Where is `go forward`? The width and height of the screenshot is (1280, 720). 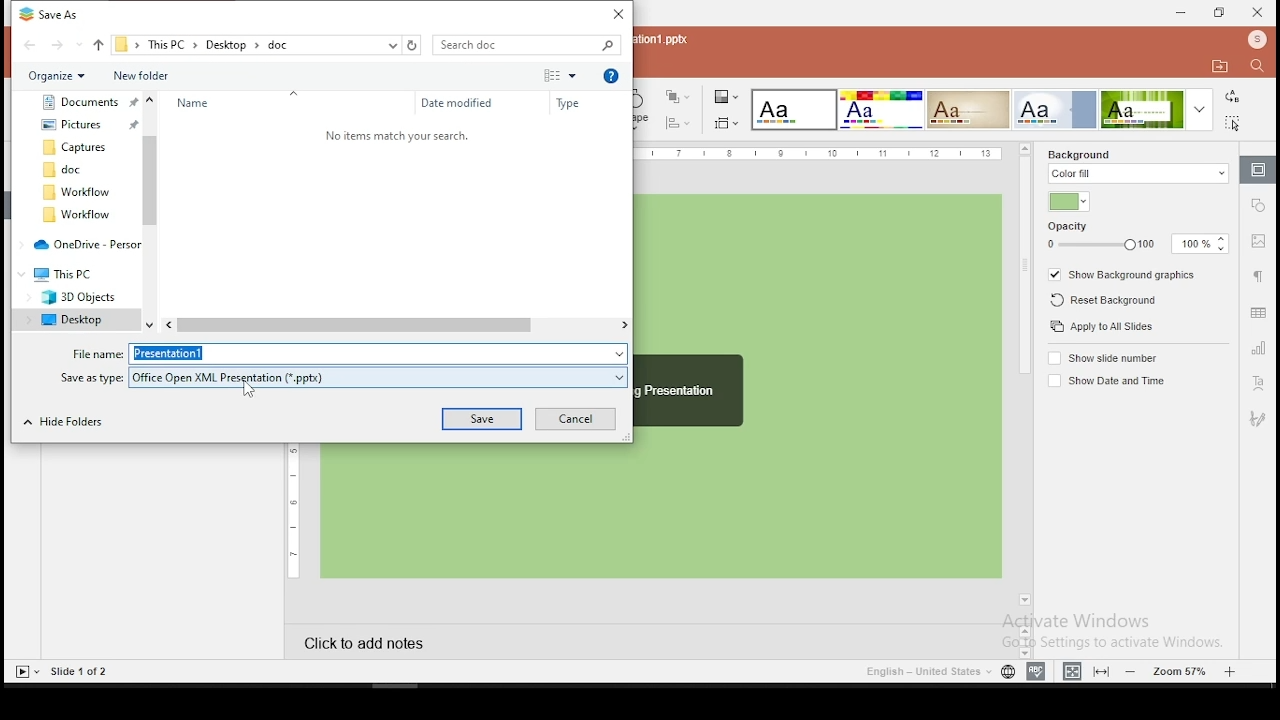 go forward is located at coordinates (65, 45).